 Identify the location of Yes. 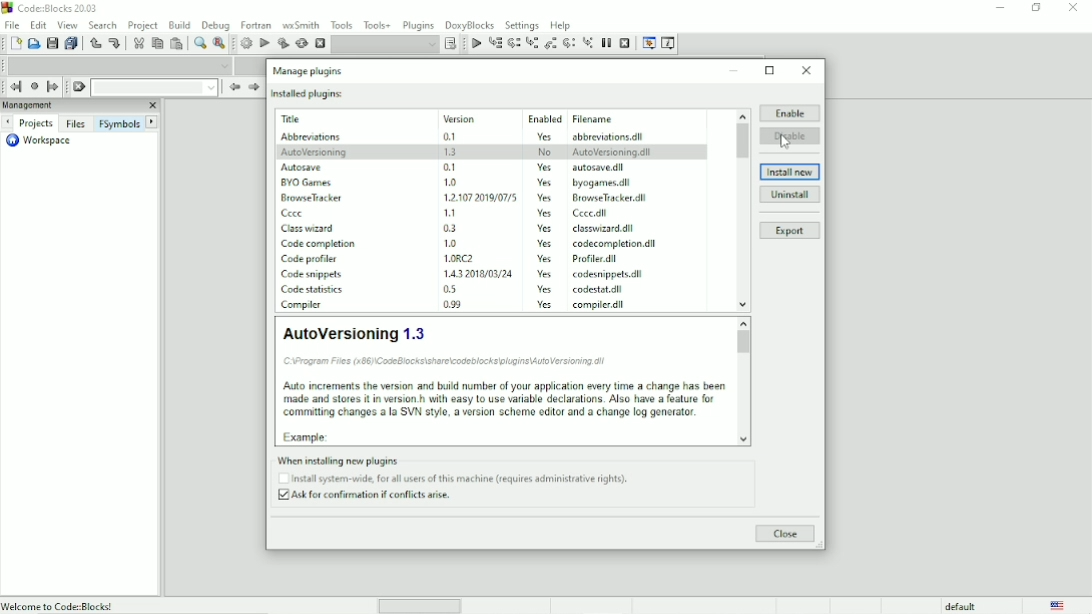
(540, 182).